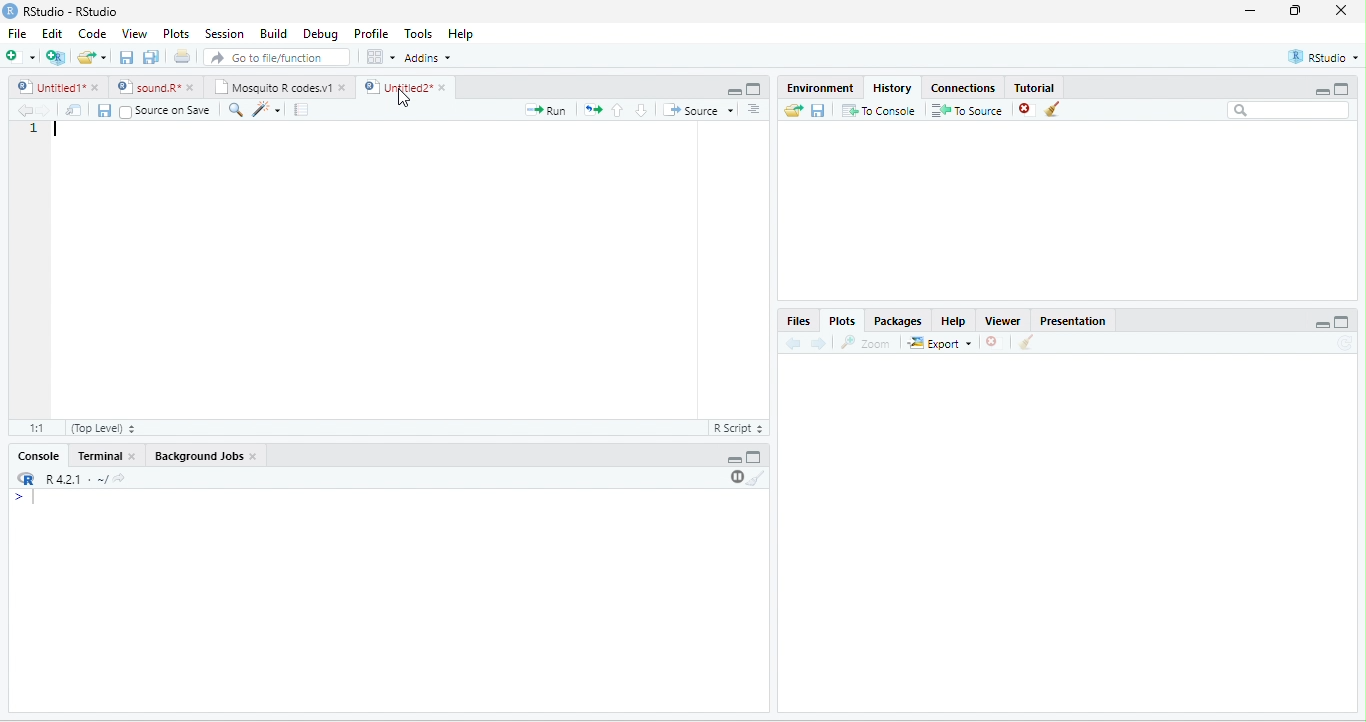 This screenshot has height=722, width=1366. I want to click on View, so click(134, 34).